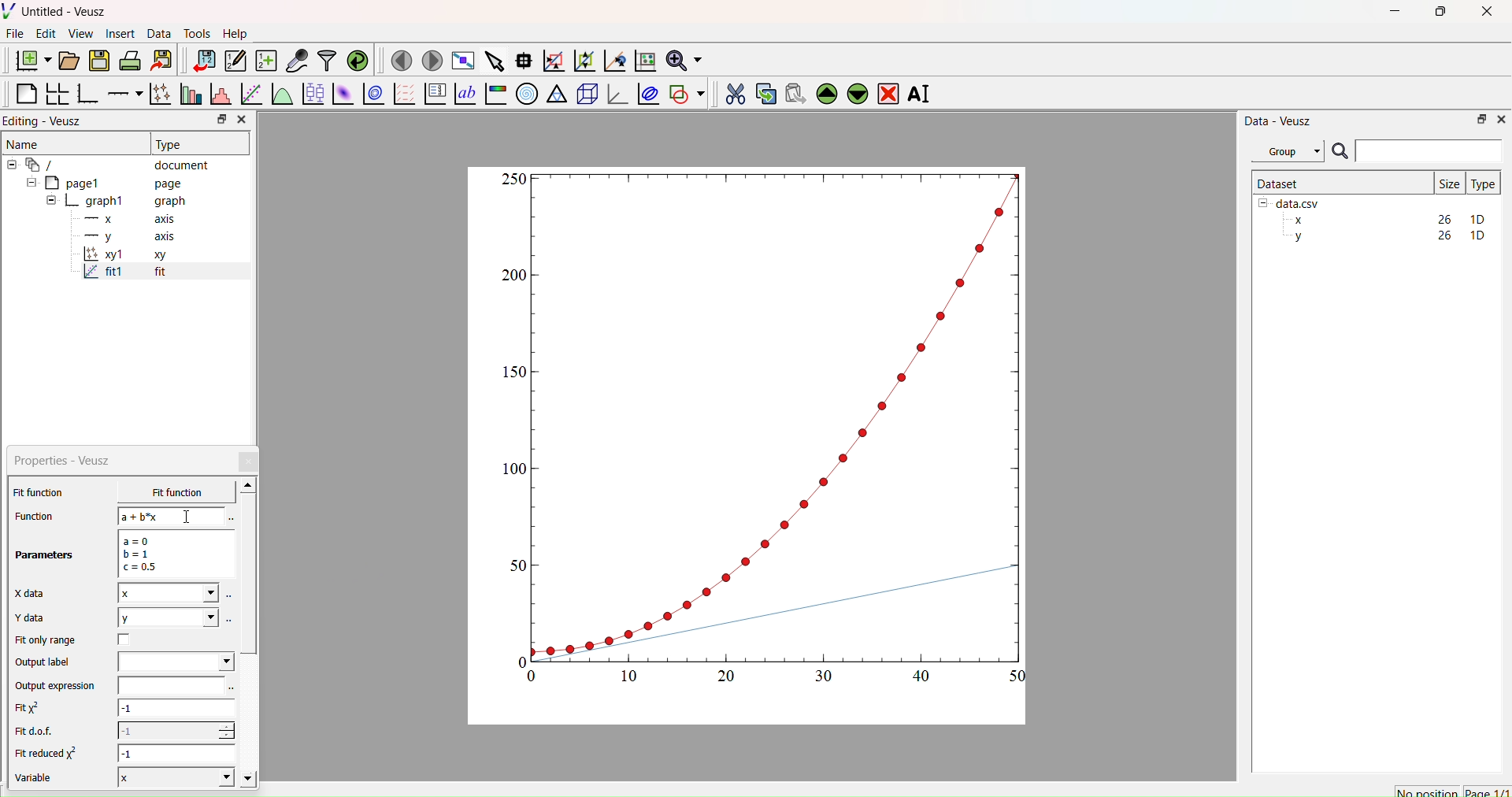 The height and width of the screenshot is (797, 1512). I want to click on Capture remote data, so click(297, 61).